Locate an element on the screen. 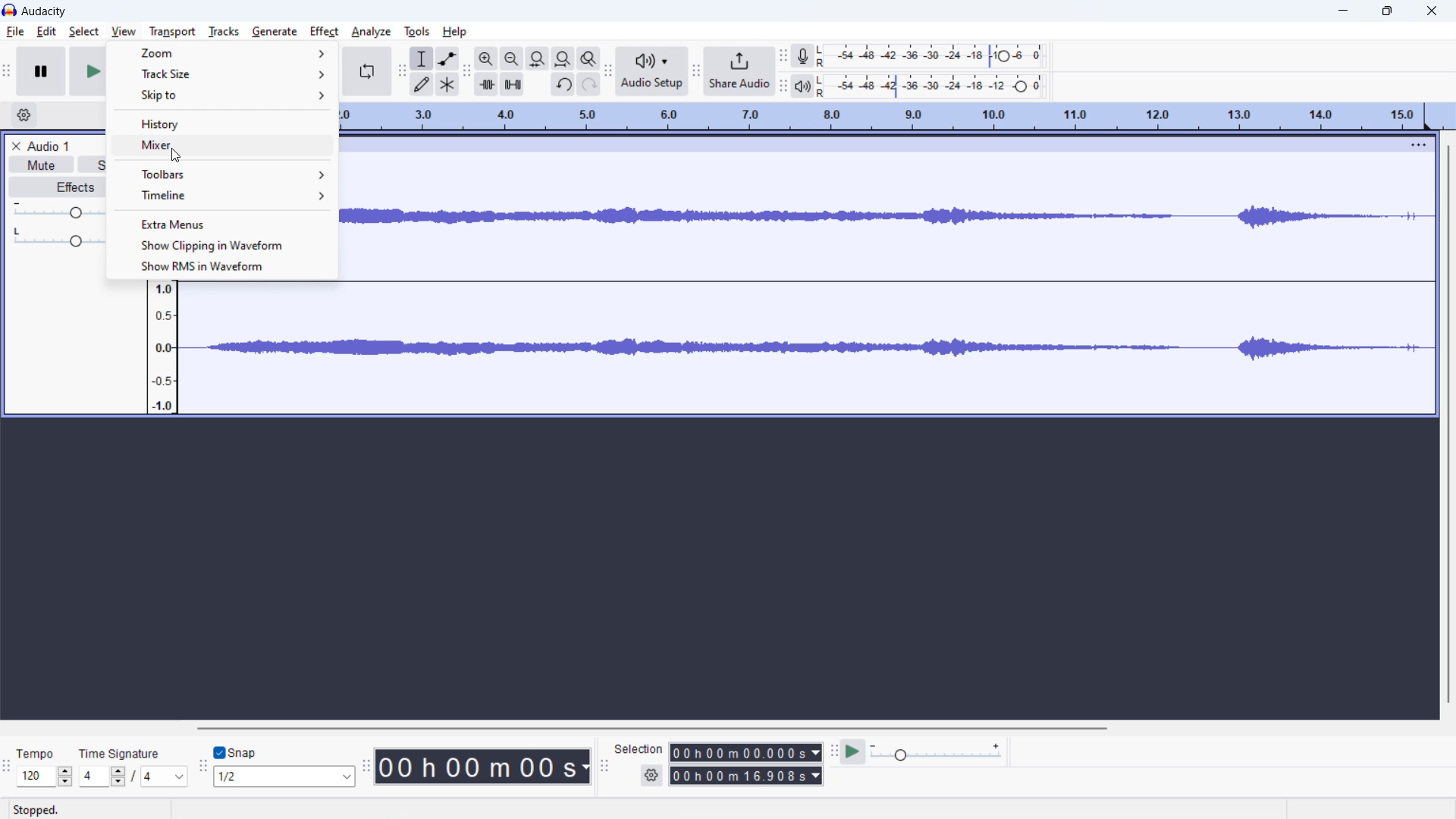  title is located at coordinates (45, 11).